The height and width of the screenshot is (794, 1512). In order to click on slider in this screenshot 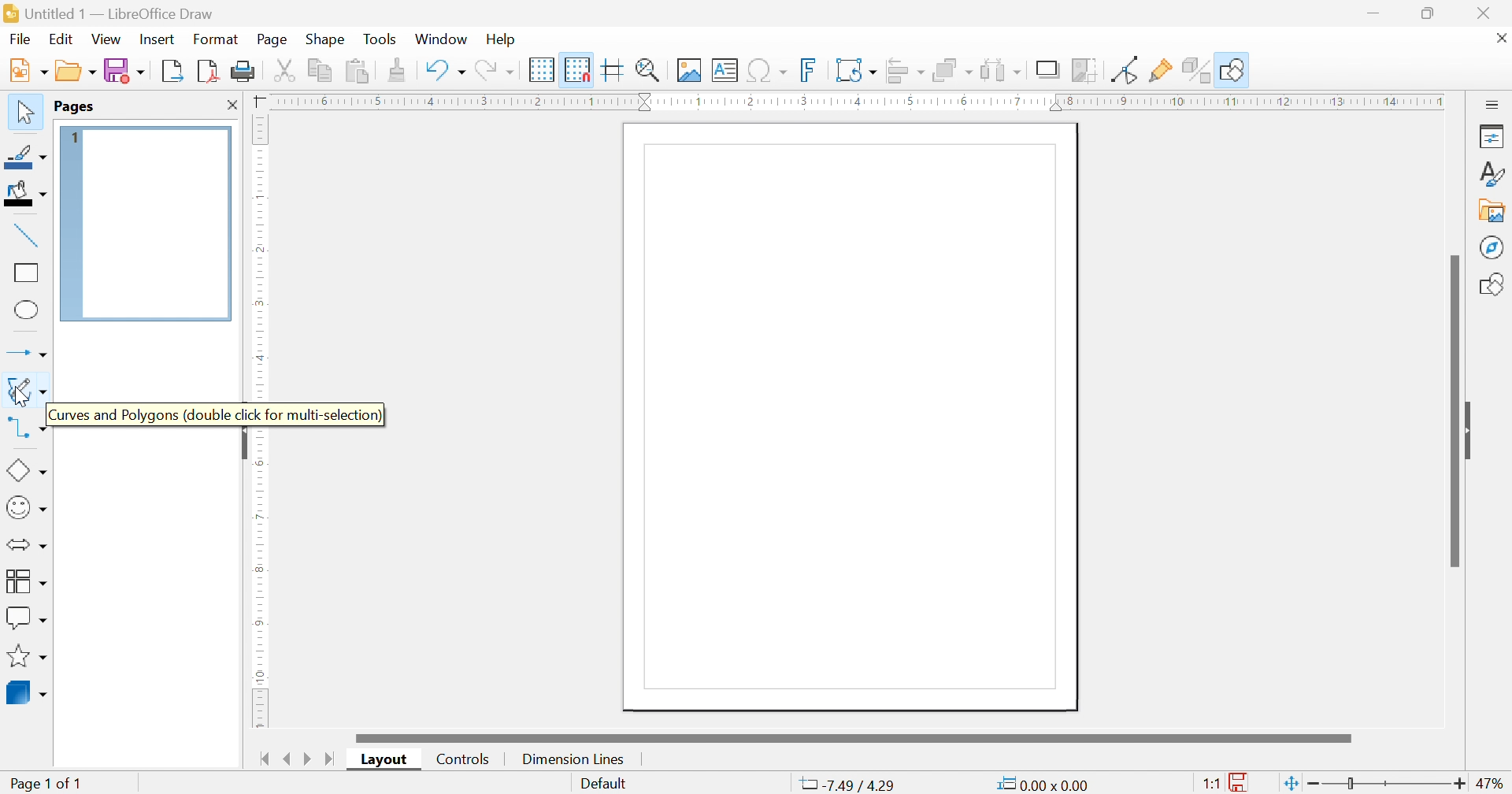, I will do `click(1390, 785)`.